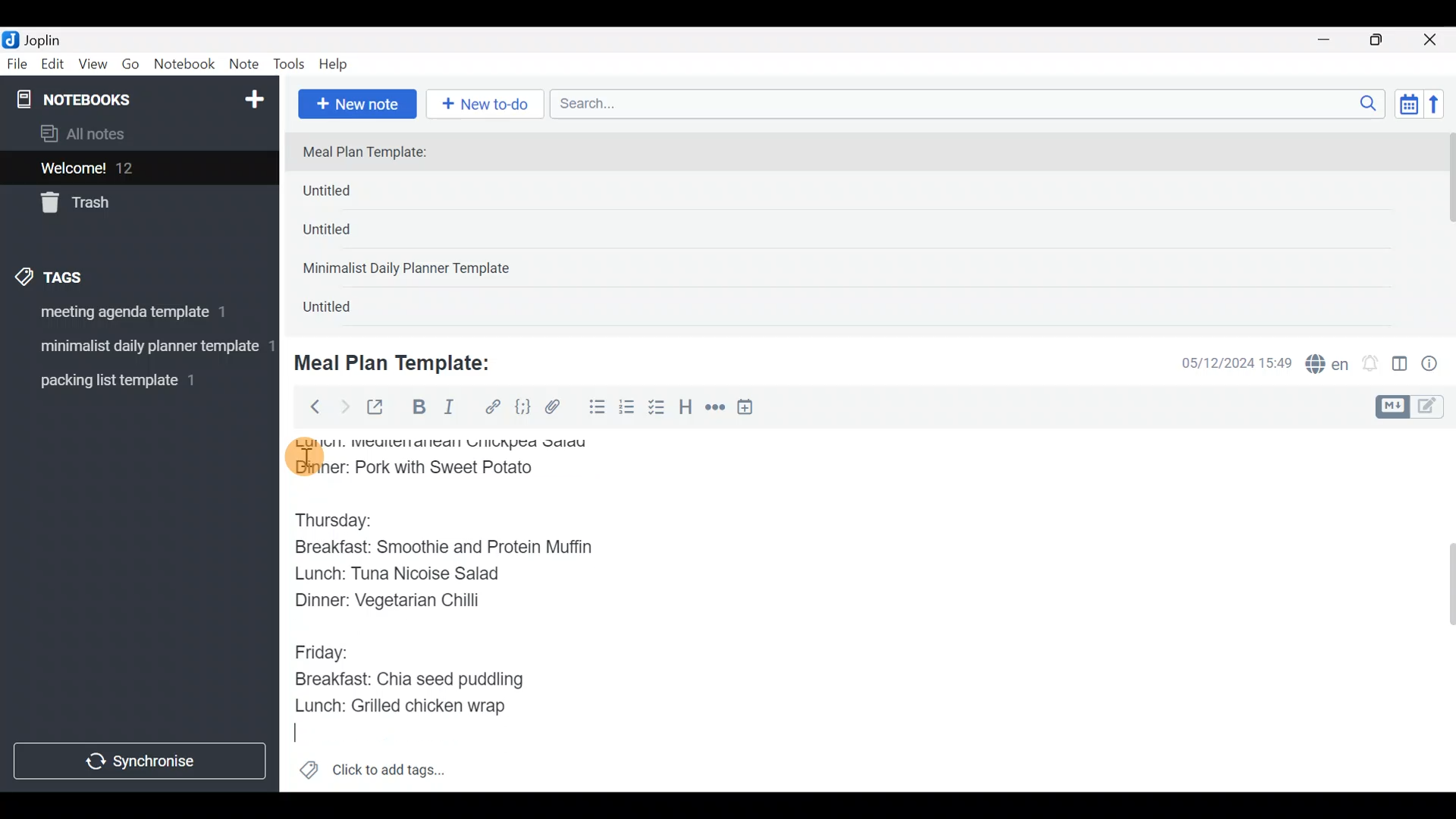 The width and height of the screenshot is (1456, 819). Describe the element at coordinates (290, 65) in the screenshot. I see `Tools` at that location.